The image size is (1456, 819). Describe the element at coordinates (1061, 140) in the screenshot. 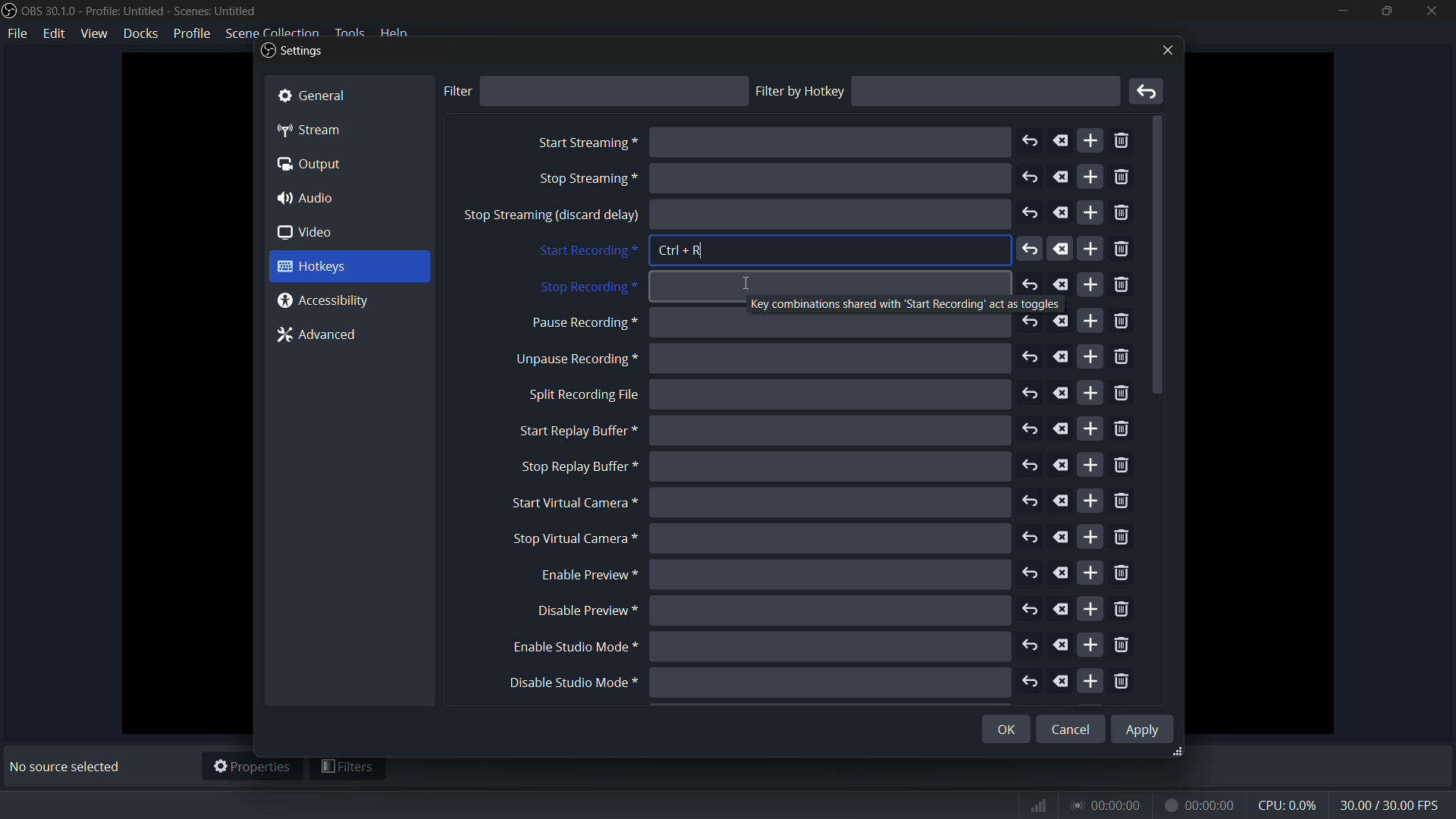

I see `delete` at that location.